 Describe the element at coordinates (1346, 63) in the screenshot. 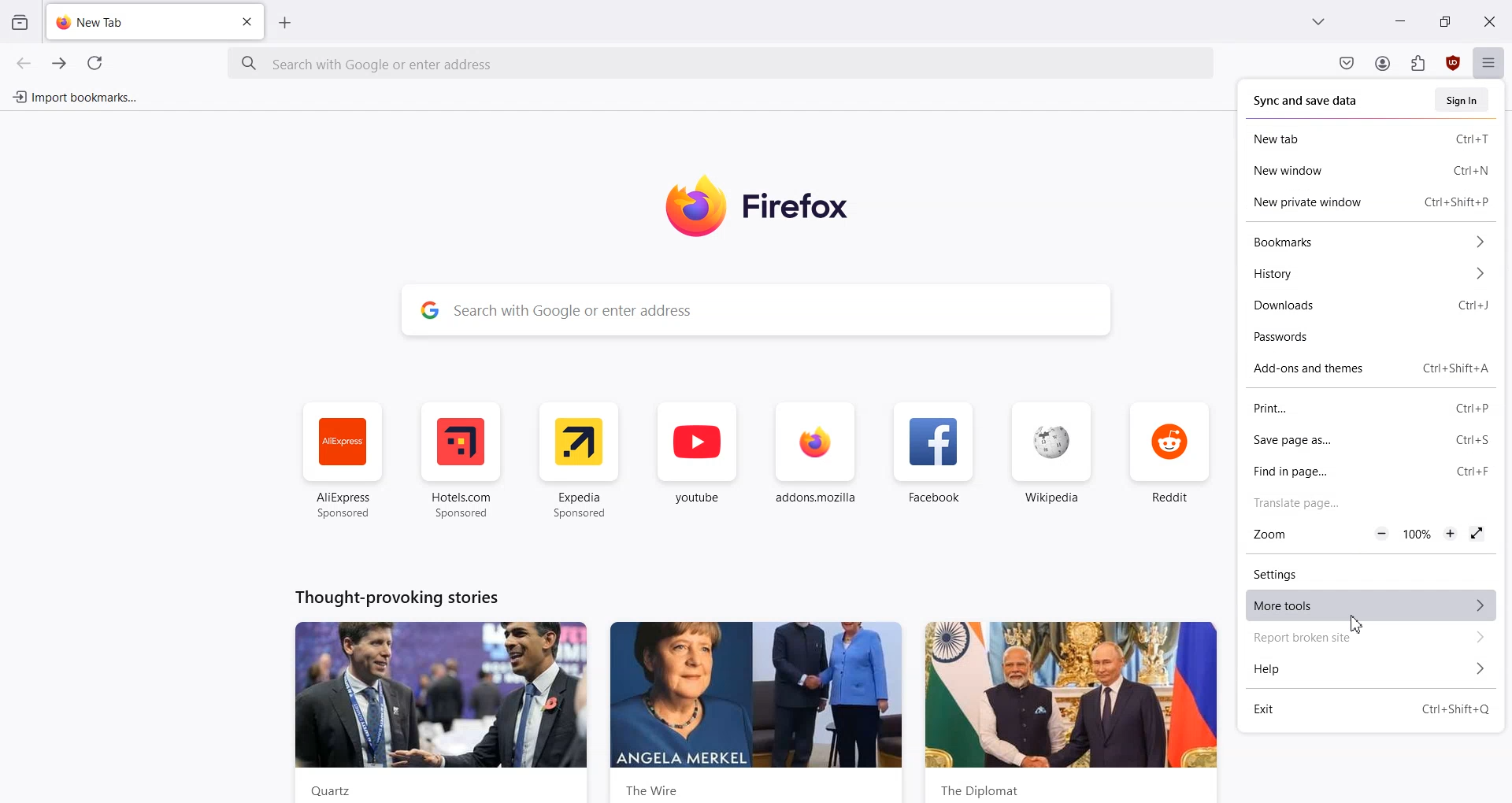

I see `Save to Pocket` at that location.